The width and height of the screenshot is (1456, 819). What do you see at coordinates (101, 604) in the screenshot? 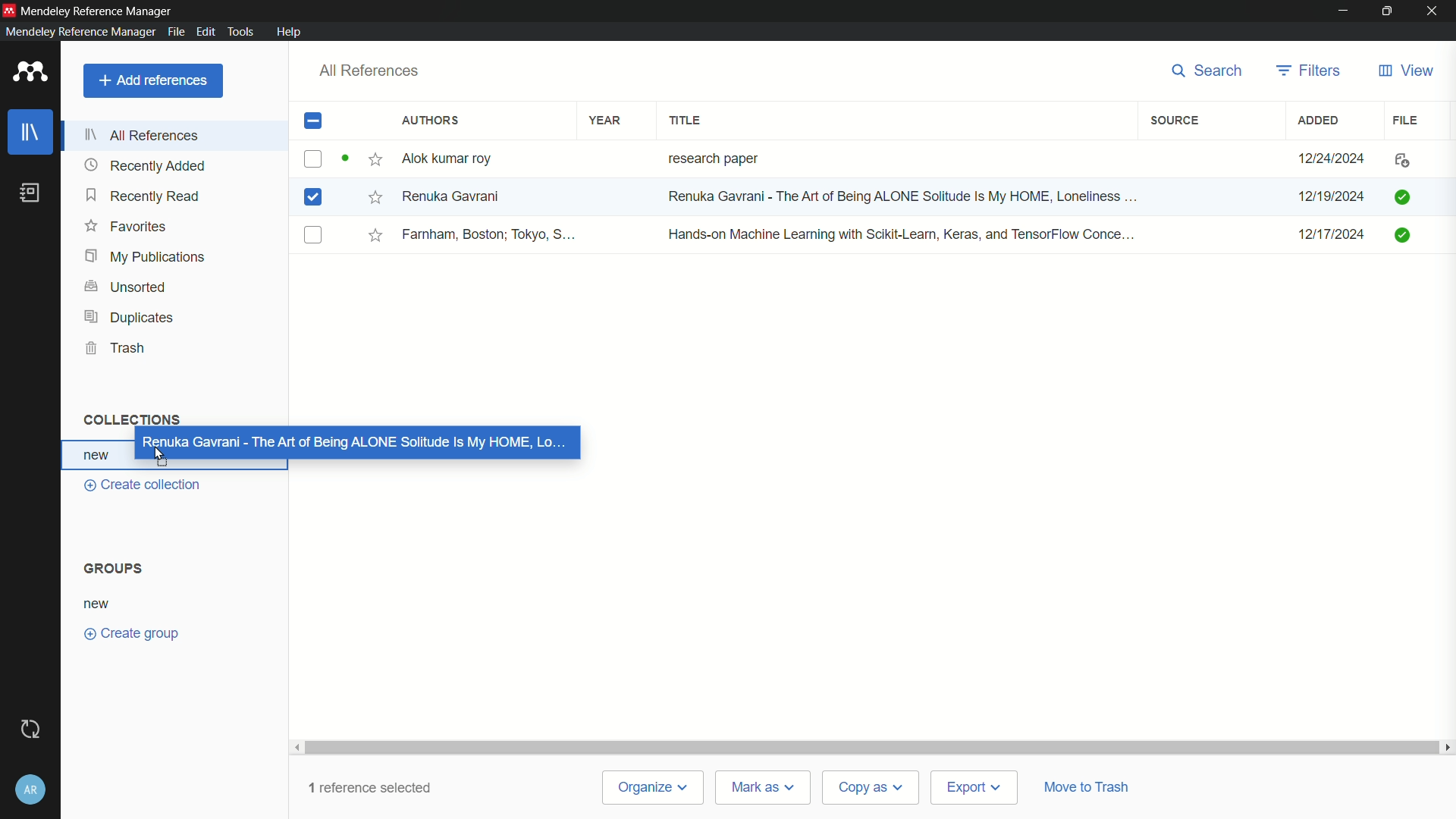
I see `new` at bounding box center [101, 604].